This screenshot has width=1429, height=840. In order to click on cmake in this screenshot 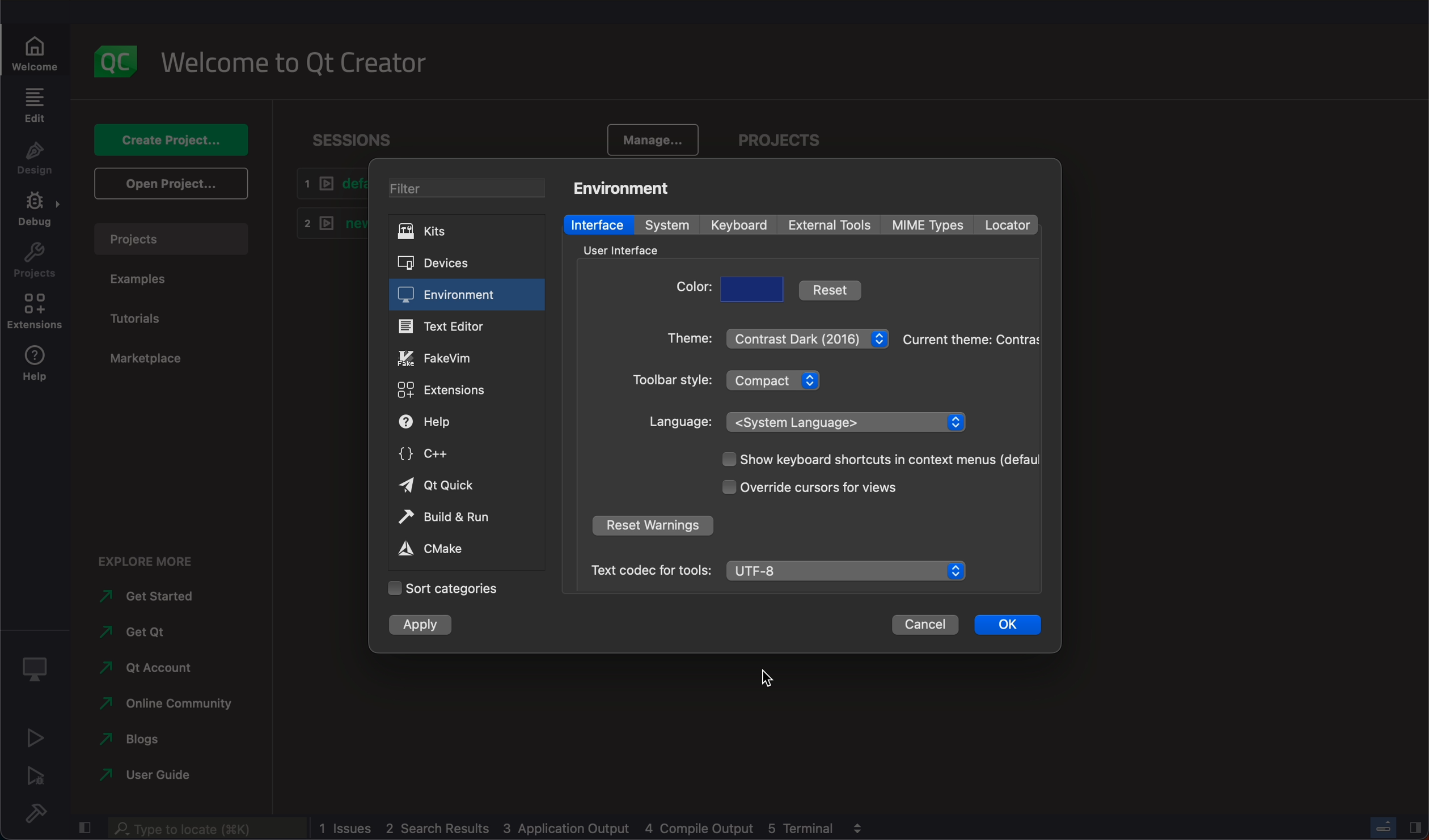, I will do `click(458, 549)`.